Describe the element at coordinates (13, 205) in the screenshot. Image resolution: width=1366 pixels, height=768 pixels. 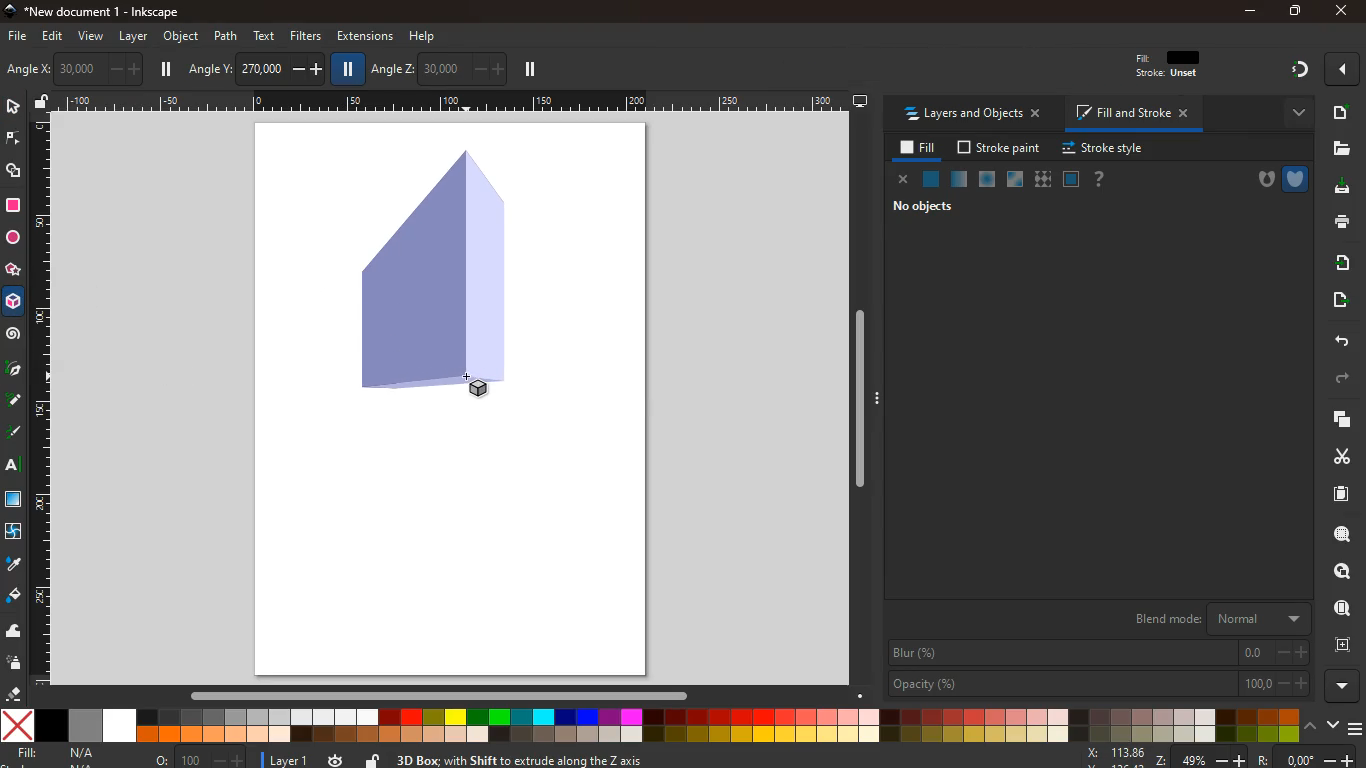
I see `square` at that location.